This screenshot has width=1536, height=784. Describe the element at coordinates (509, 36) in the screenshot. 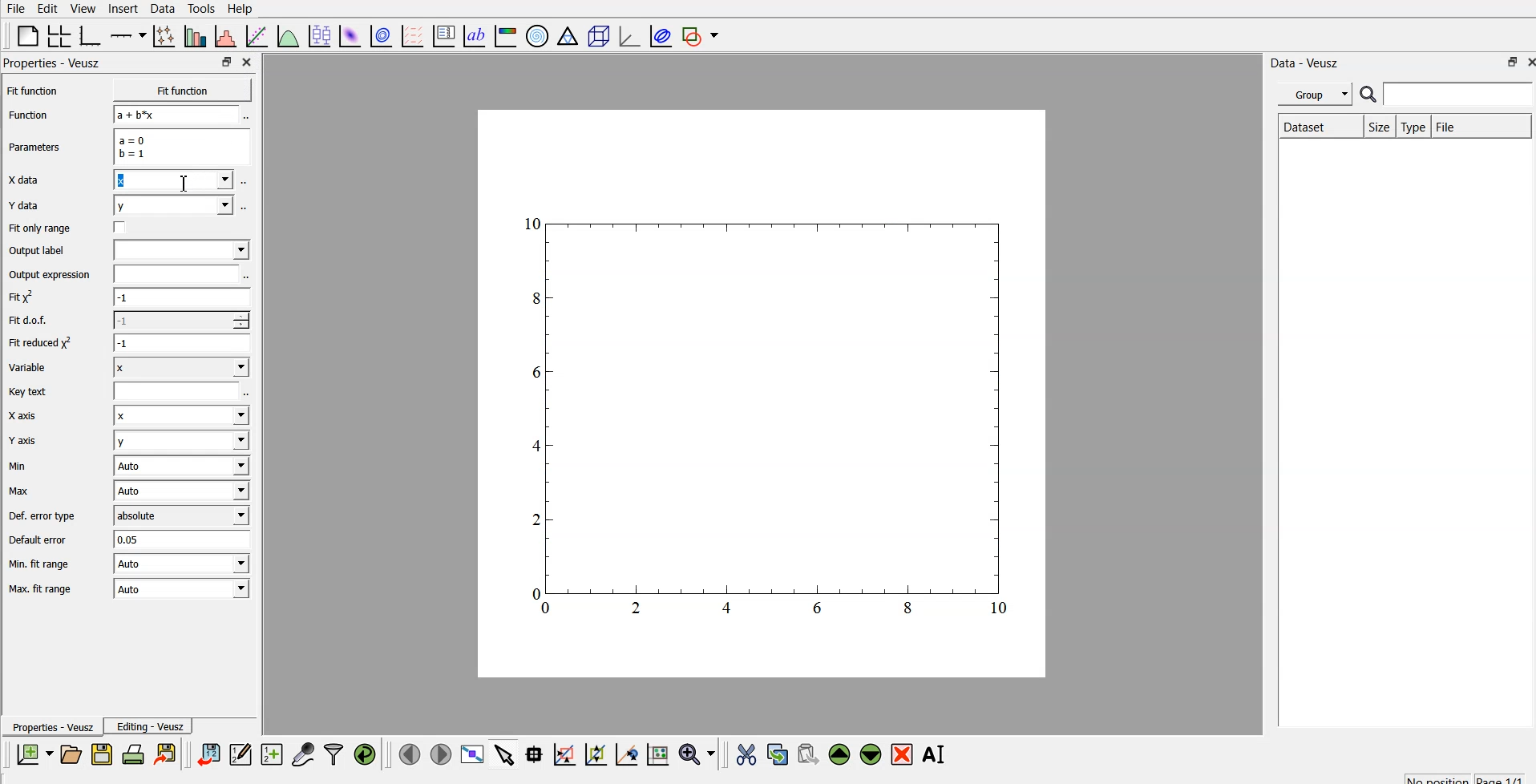

I see `image color bar` at that location.